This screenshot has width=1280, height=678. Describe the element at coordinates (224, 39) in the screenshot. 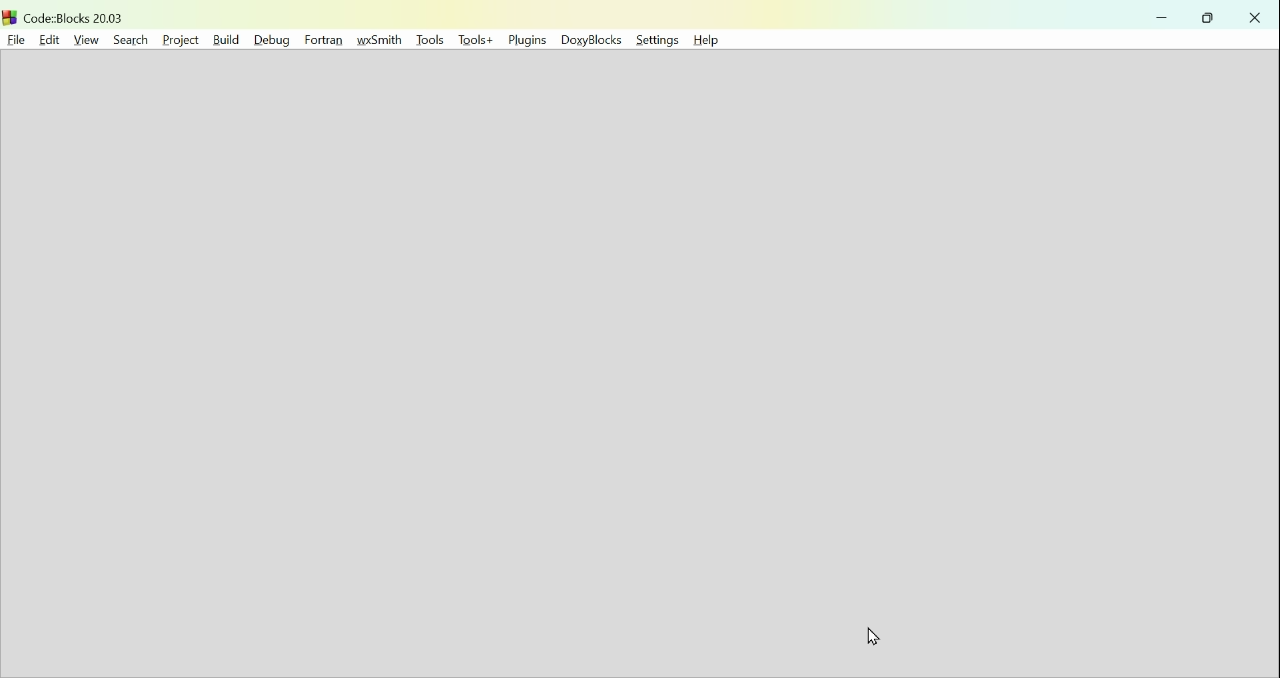

I see `build` at that location.